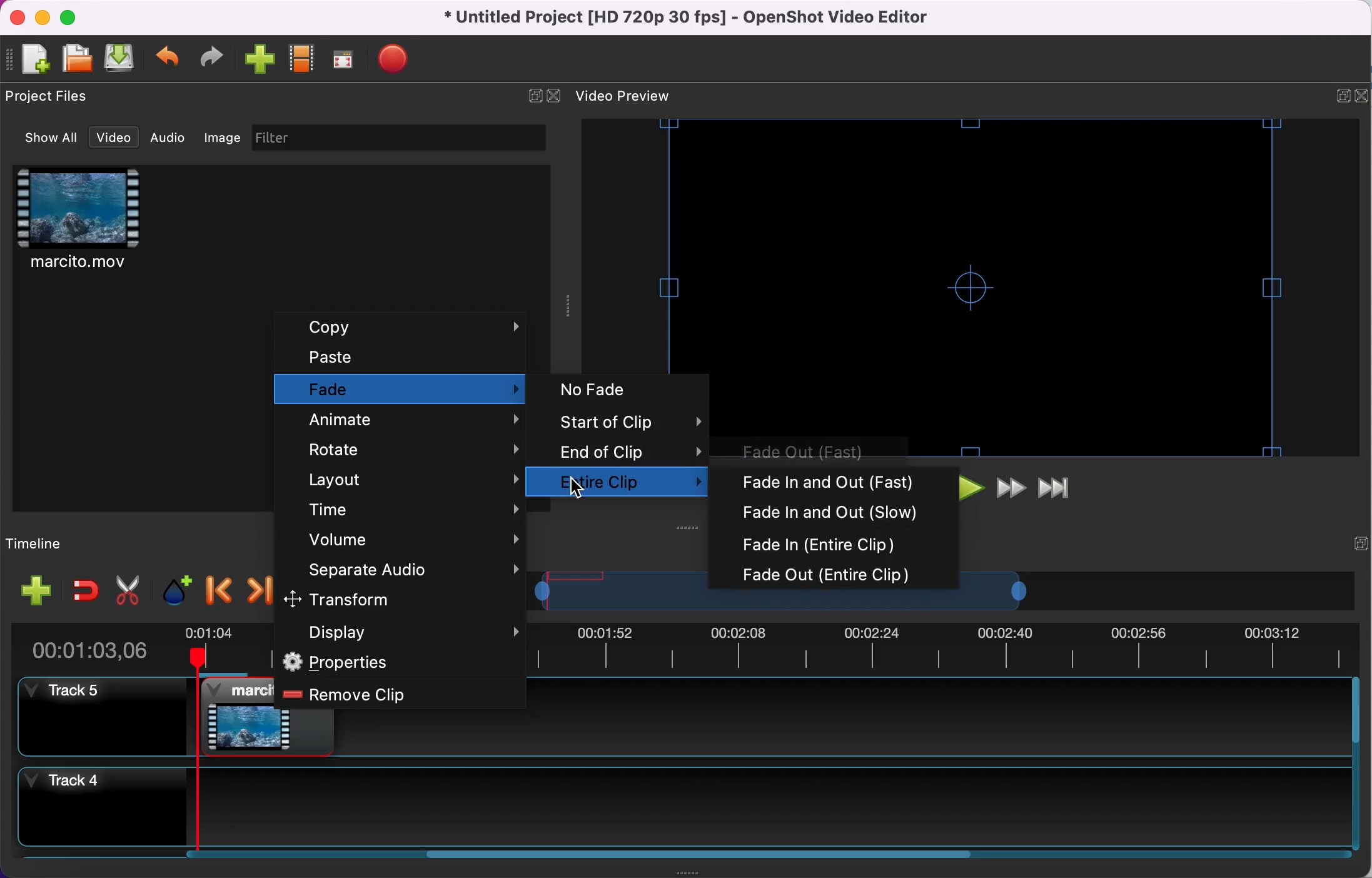 Image resolution: width=1372 pixels, height=878 pixels. I want to click on transition bar, so click(776, 602).